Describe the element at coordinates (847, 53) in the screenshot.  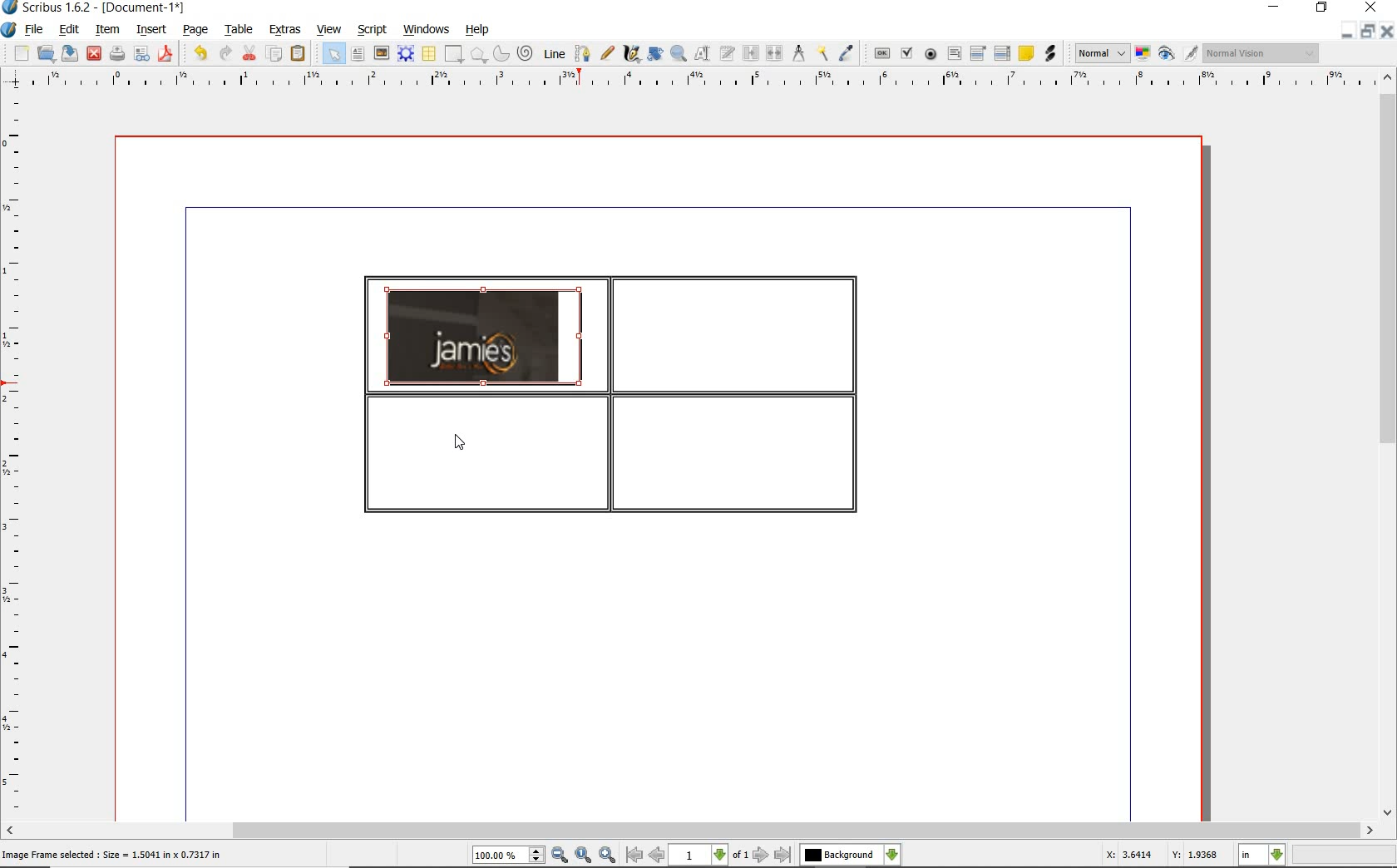
I see `eye dropper` at that location.